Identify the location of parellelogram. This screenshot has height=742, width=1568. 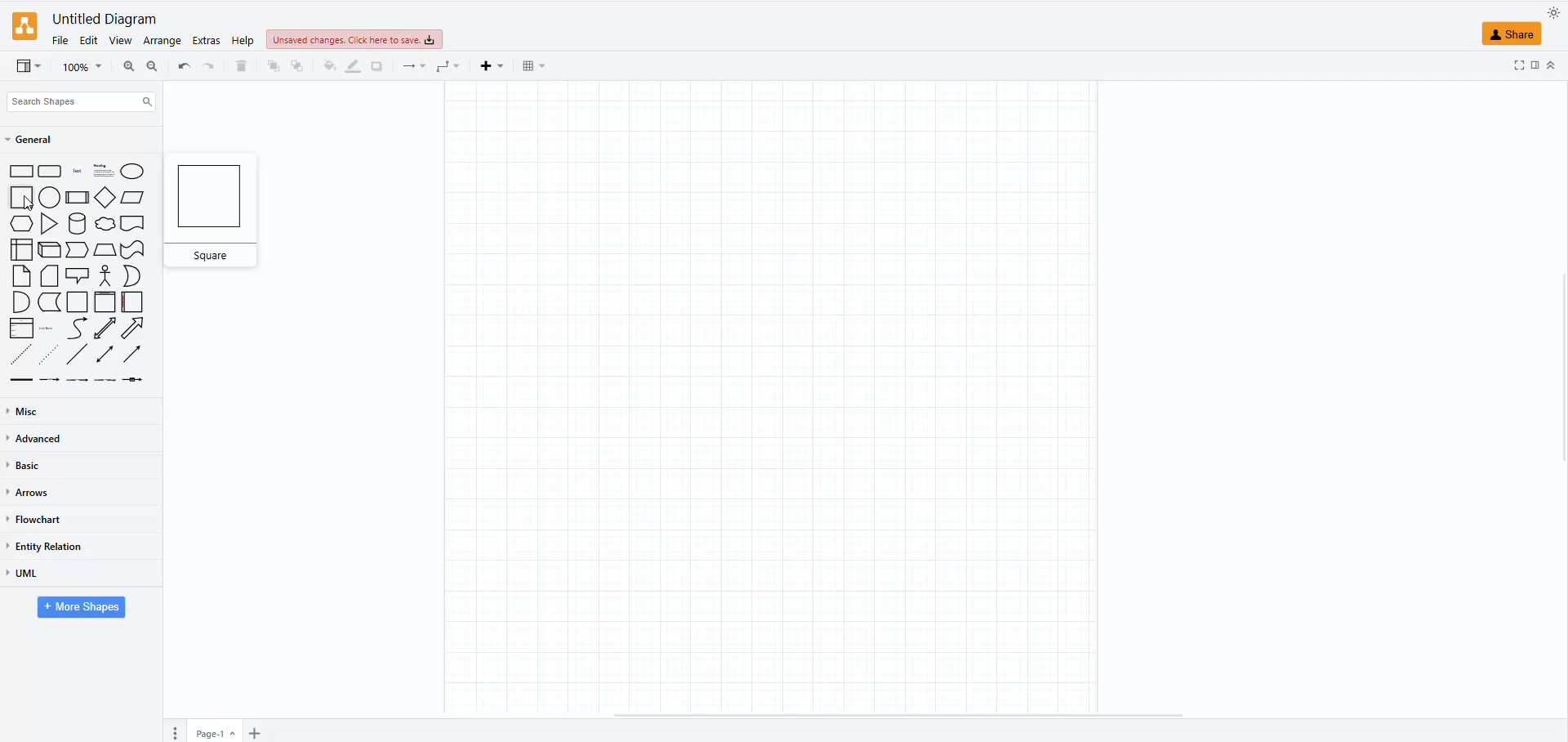
(134, 198).